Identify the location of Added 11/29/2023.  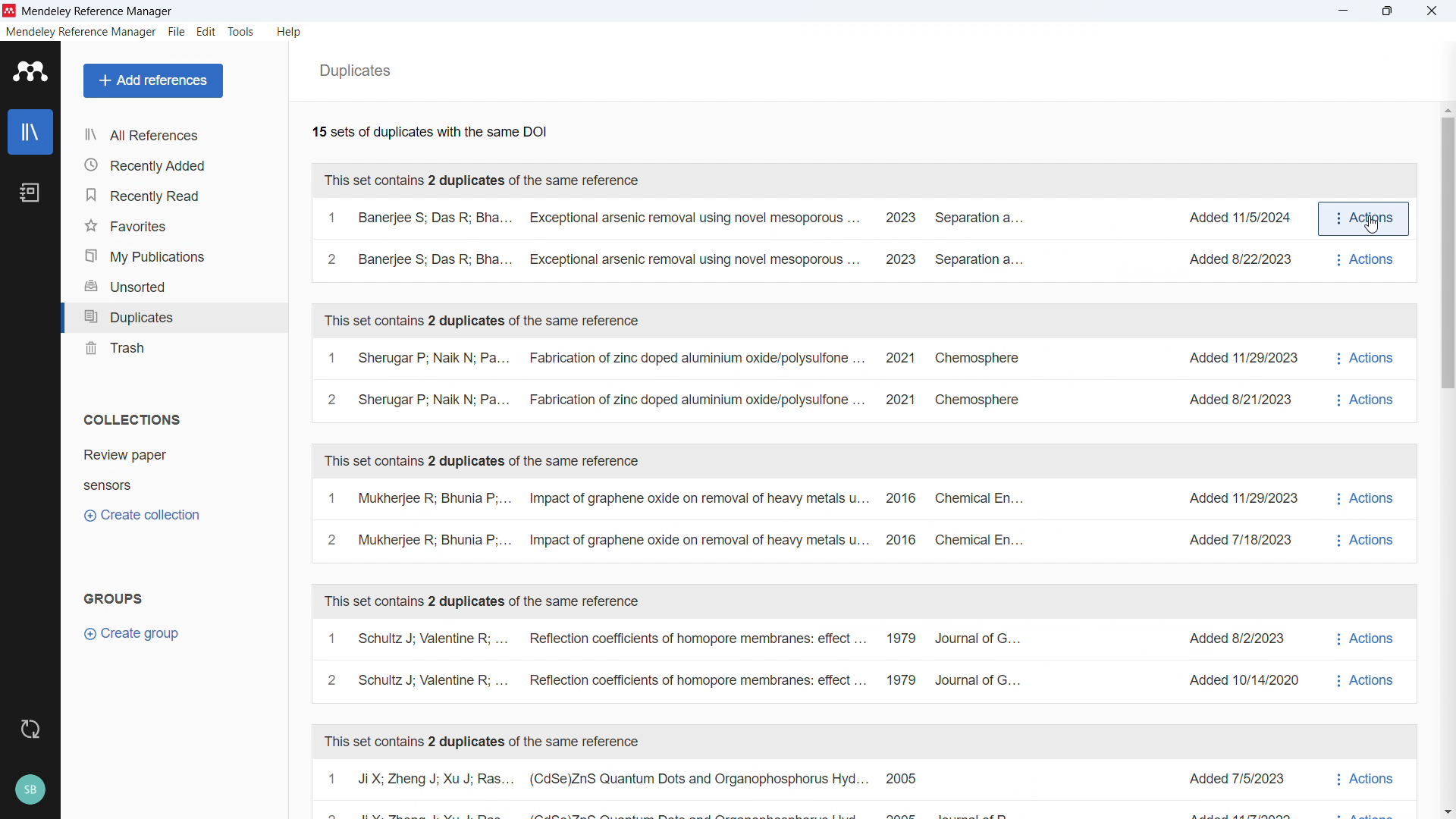
(1229, 498).